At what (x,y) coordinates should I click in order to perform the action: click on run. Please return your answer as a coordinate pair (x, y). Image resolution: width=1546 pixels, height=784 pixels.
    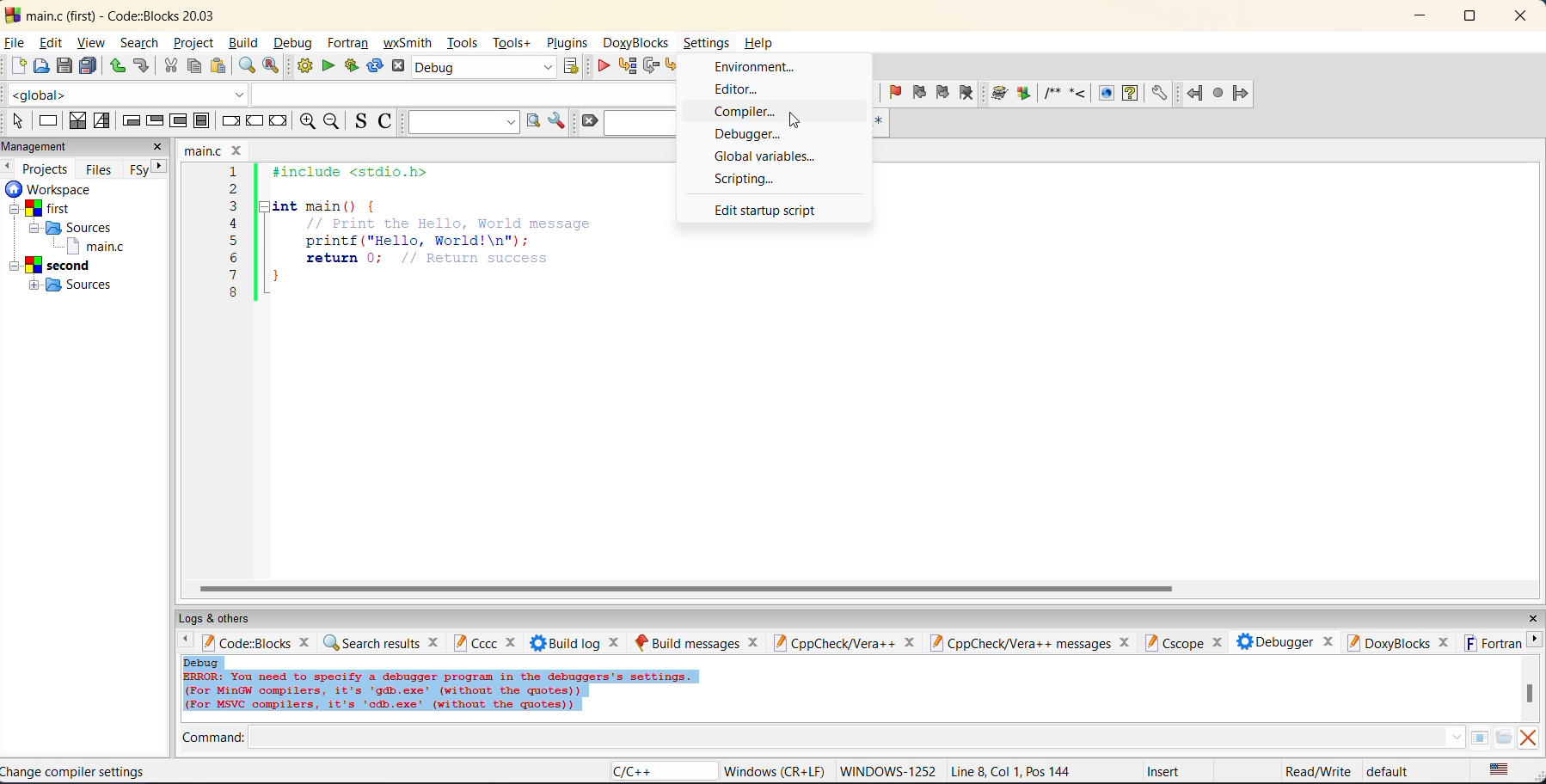
    Looking at the image, I should click on (328, 65).